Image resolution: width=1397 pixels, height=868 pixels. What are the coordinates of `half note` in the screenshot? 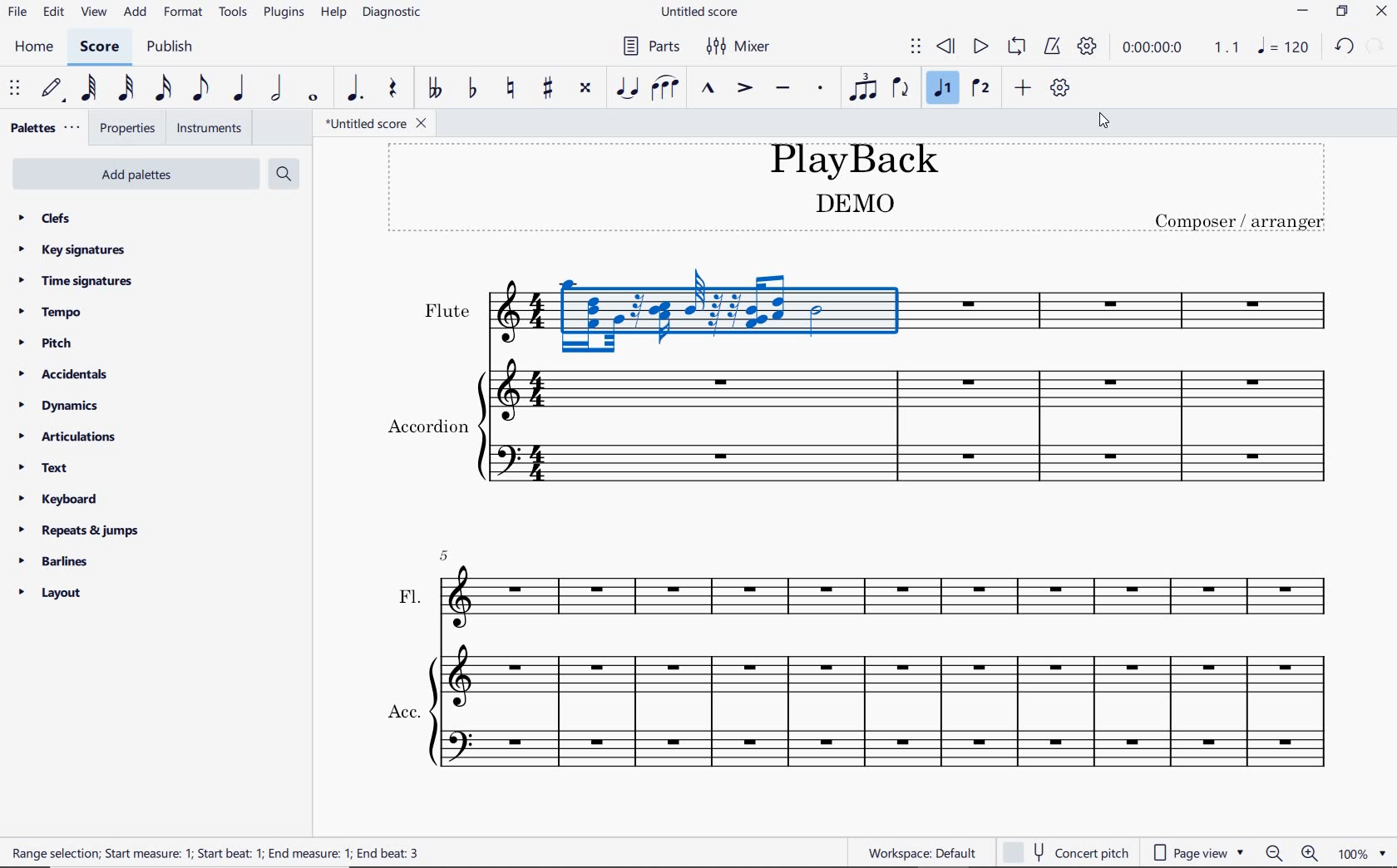 It's located at (277, 89).